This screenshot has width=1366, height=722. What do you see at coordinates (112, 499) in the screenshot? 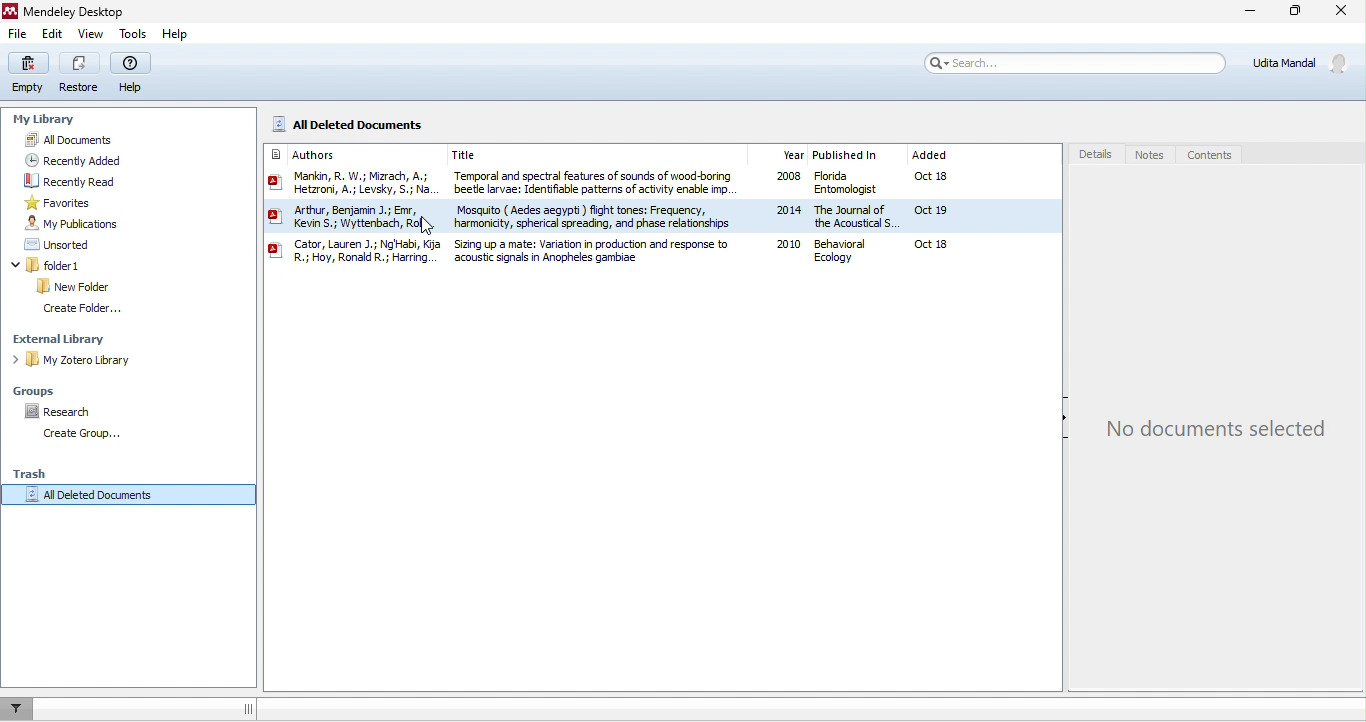
I see `all deleted documents` at bounding box center [112, 499].